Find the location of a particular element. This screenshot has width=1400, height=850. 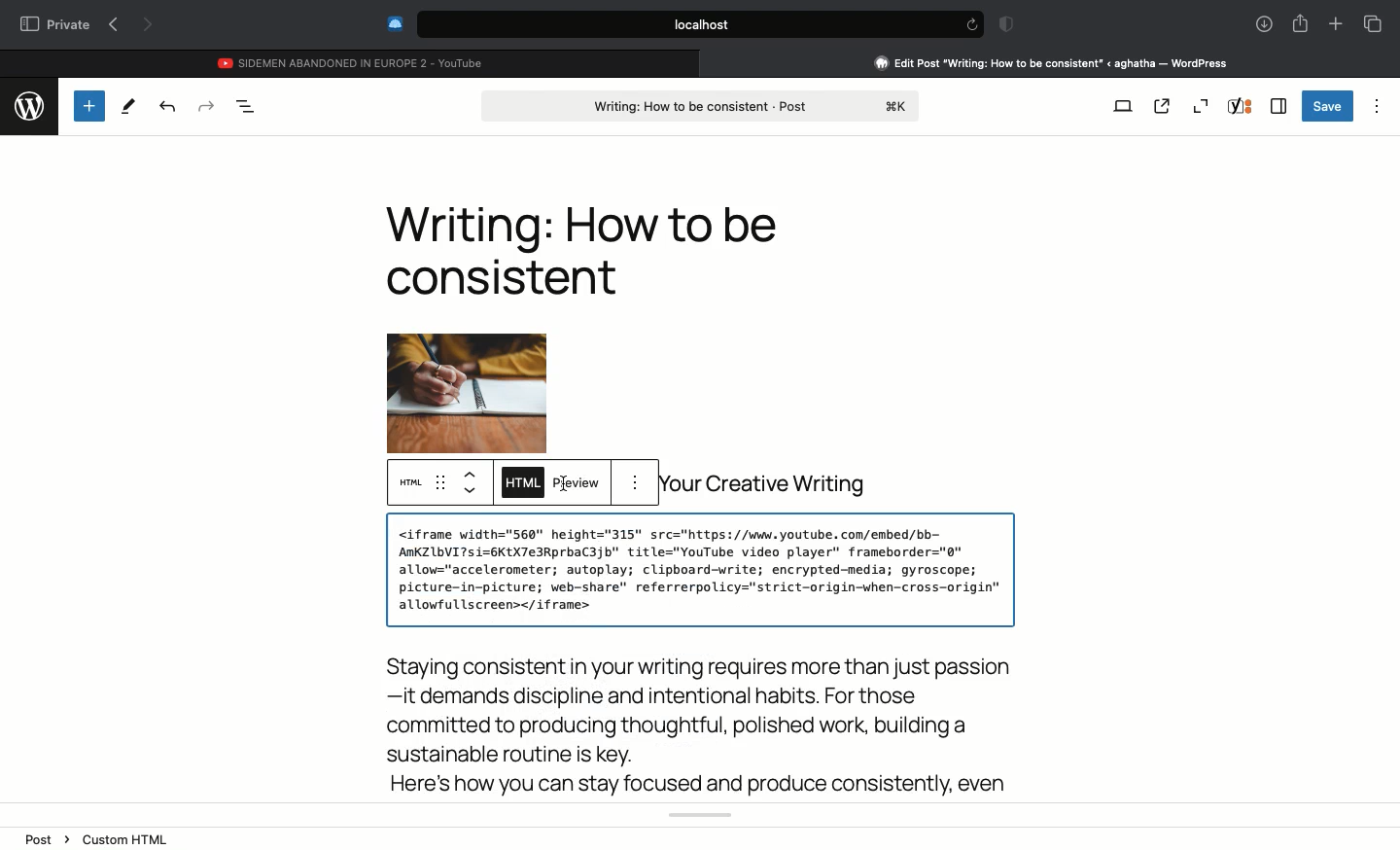

Options is located at coordinates (1379, 103).